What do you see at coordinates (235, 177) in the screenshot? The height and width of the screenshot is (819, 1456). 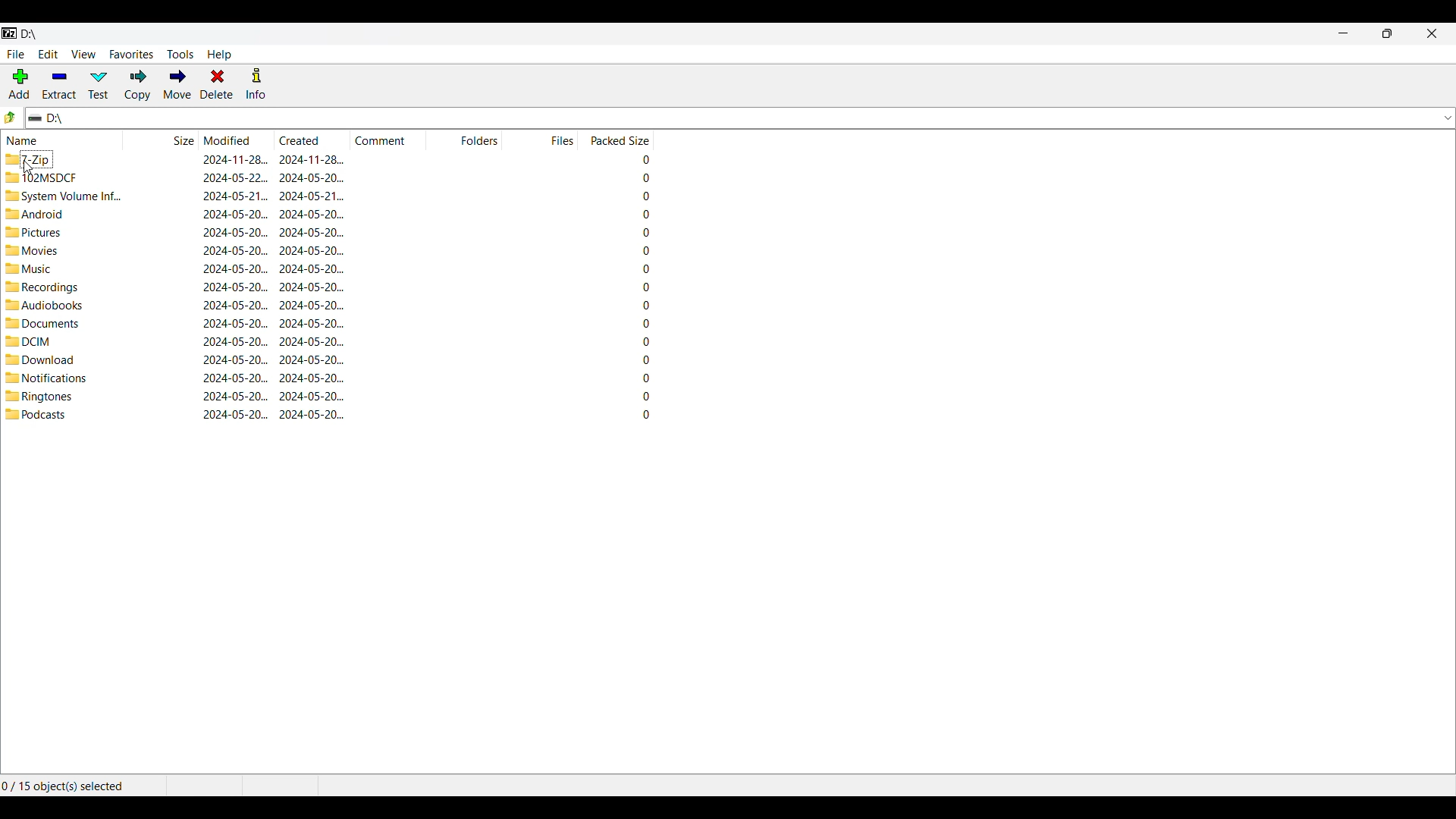 I see `modified date & time` at bounding box center [235, 177].